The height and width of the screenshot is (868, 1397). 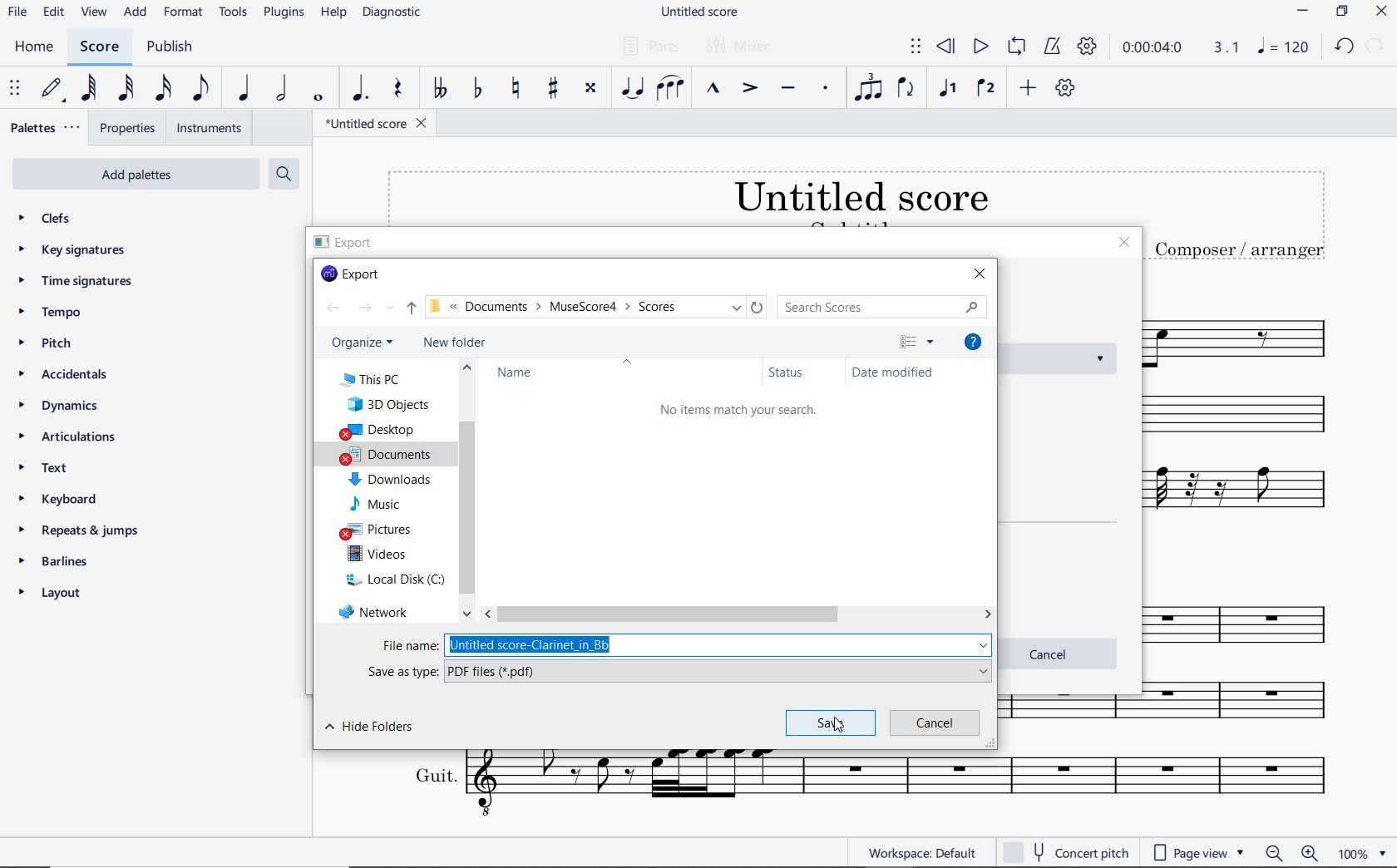 What do you see at coordinates (55, 594) in the screenshot?
I see `layout` at bounding box center [55, 594].